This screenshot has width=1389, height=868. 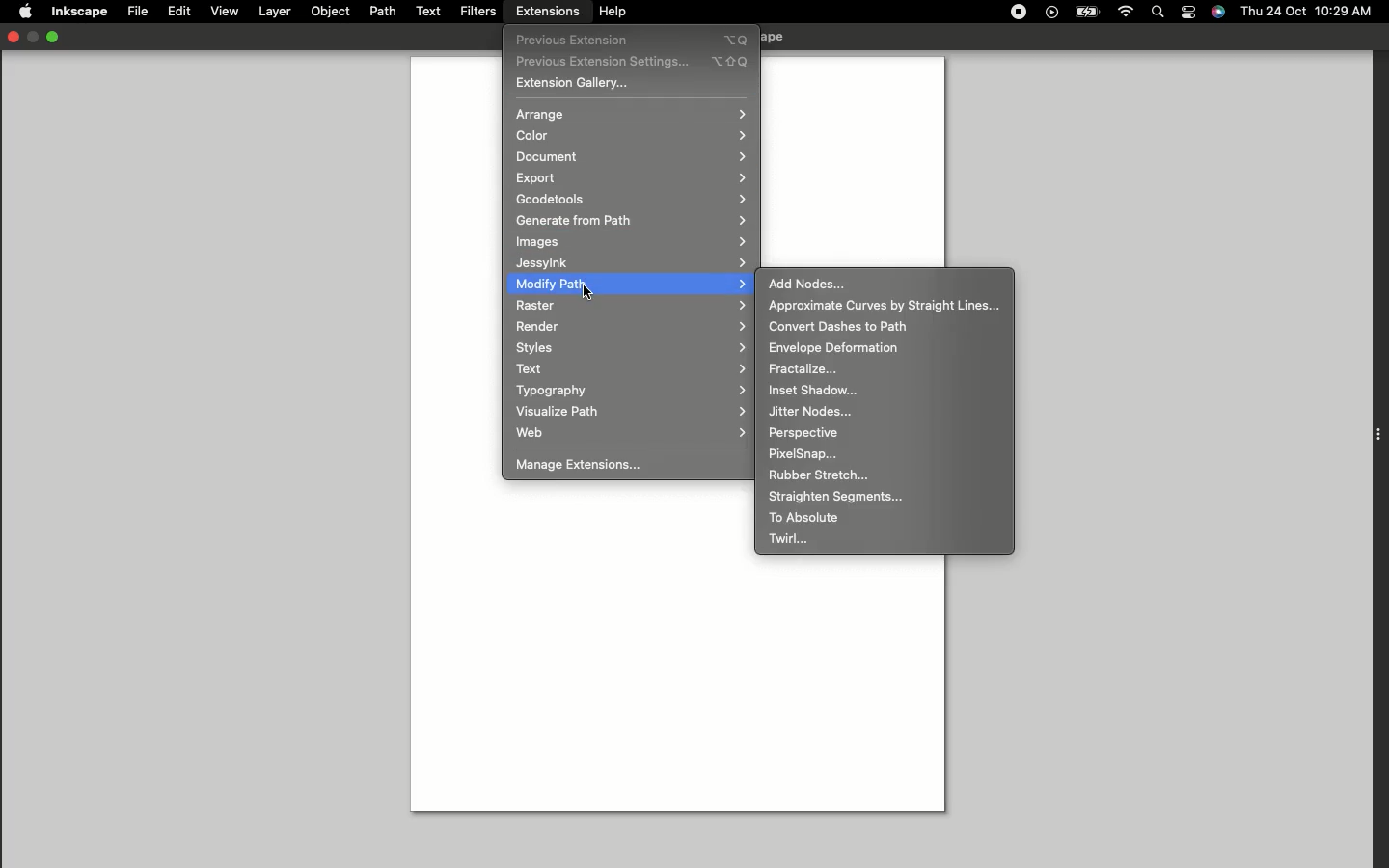 I want to click on Charge, so click(x=1086, y=13).